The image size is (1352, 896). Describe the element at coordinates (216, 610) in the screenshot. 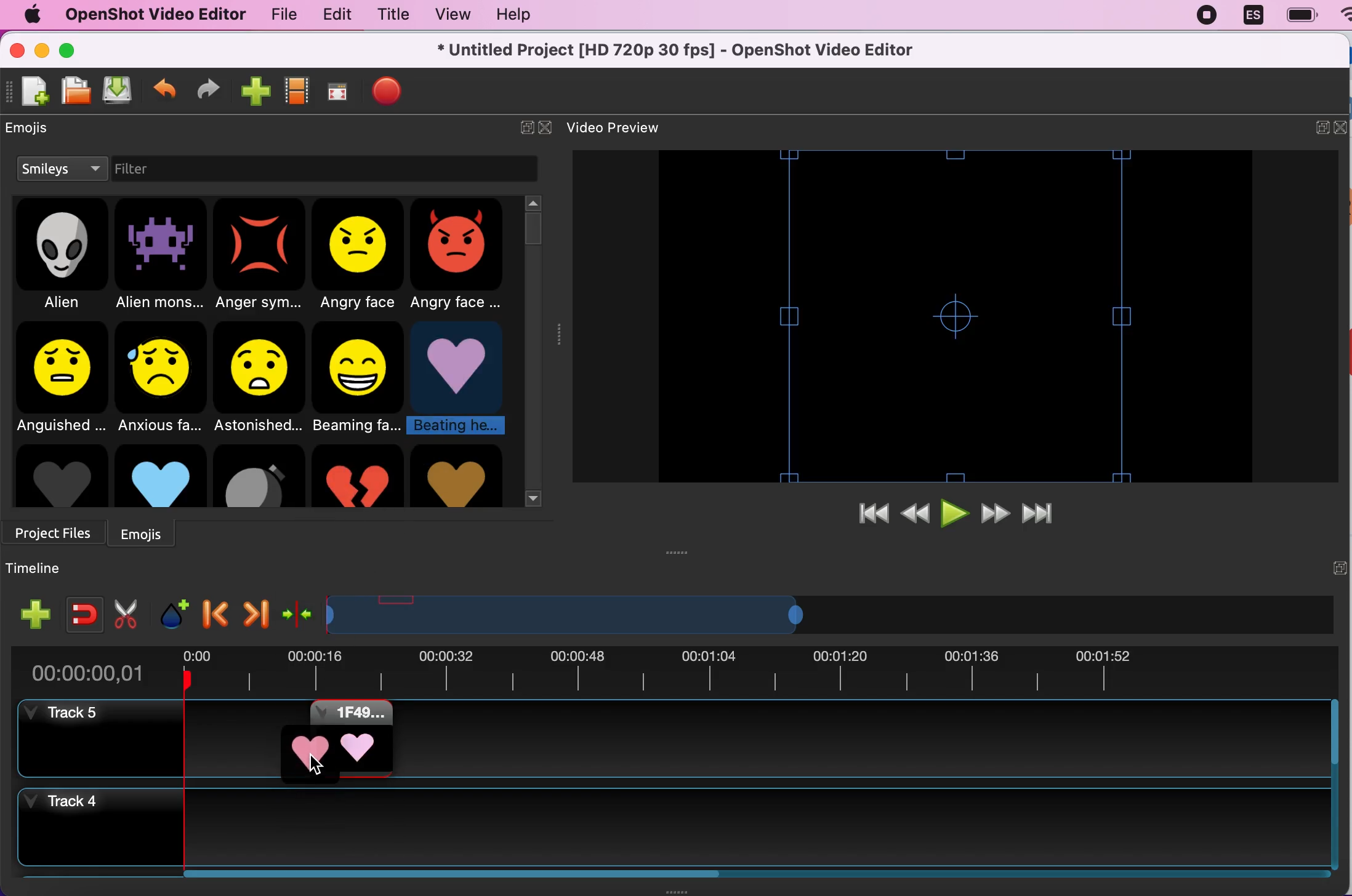

I see `previous marker` at that location.